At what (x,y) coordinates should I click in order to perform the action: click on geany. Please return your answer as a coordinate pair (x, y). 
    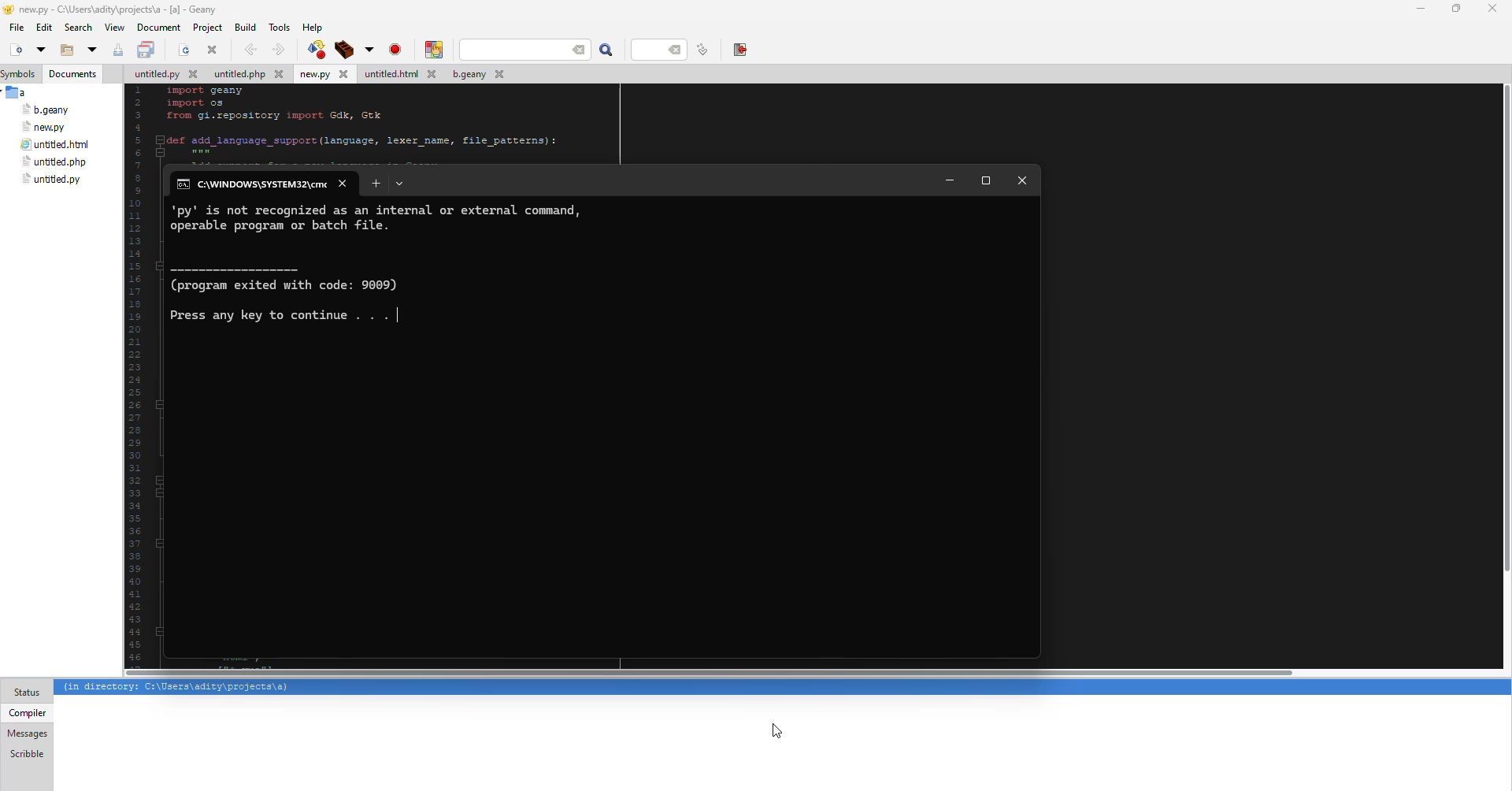
    Looking at the image, I should click on (114, 11).